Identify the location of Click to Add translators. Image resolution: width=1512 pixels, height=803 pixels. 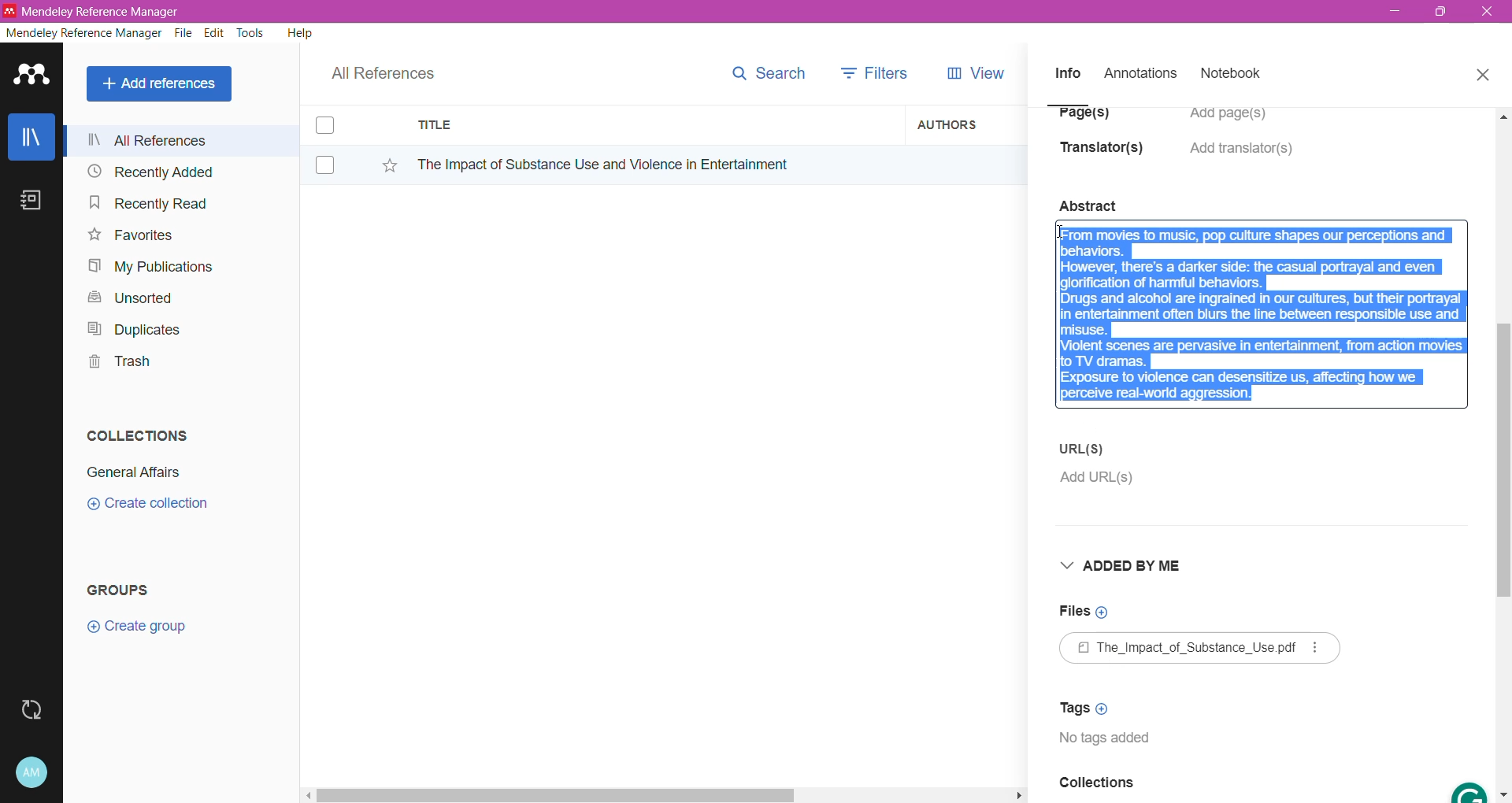
(1243, 157).